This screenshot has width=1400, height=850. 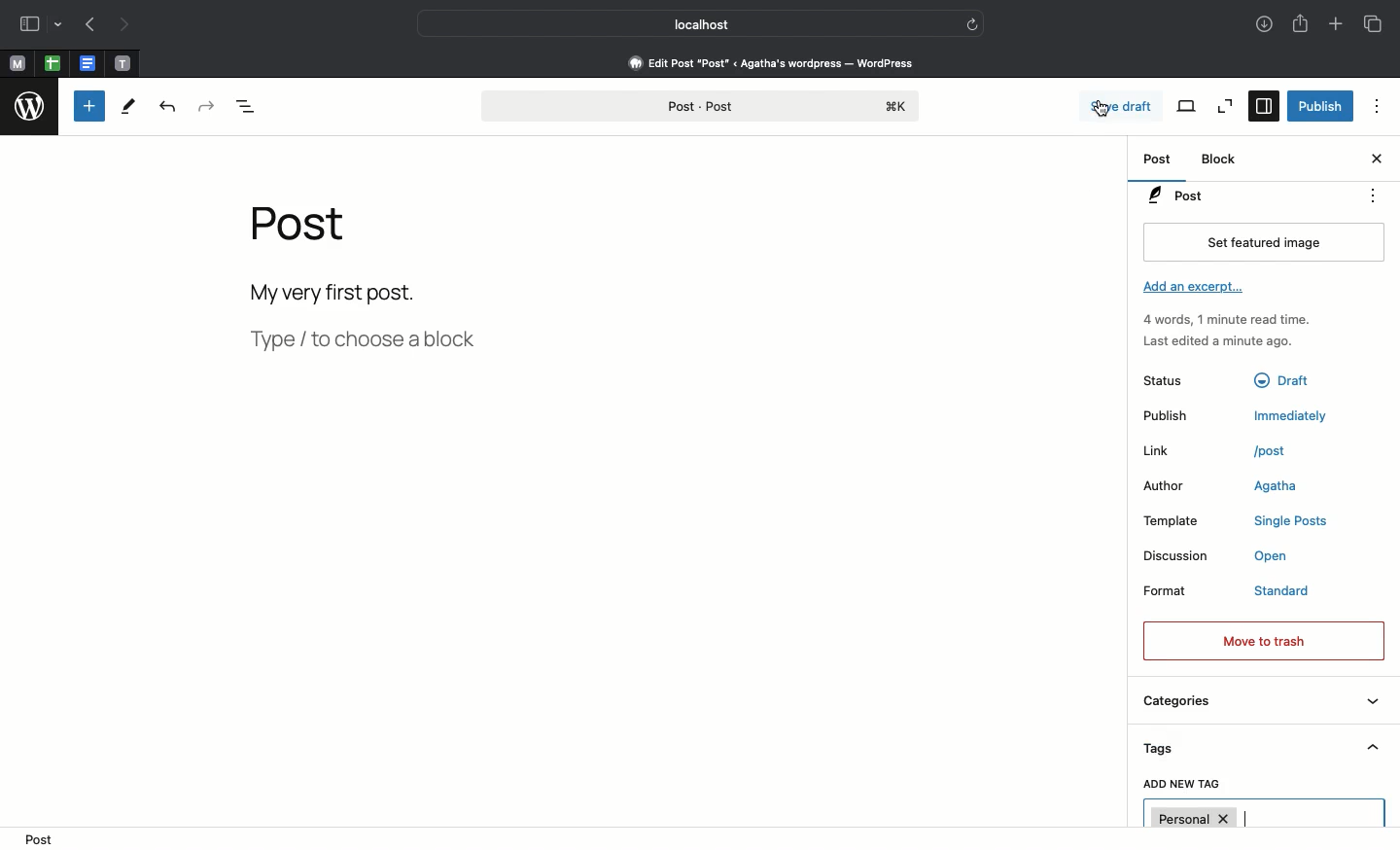 What do you see at coordinates (1376, 160) in the screenshot?
I see `Close` at bounding box center [1376, 160].